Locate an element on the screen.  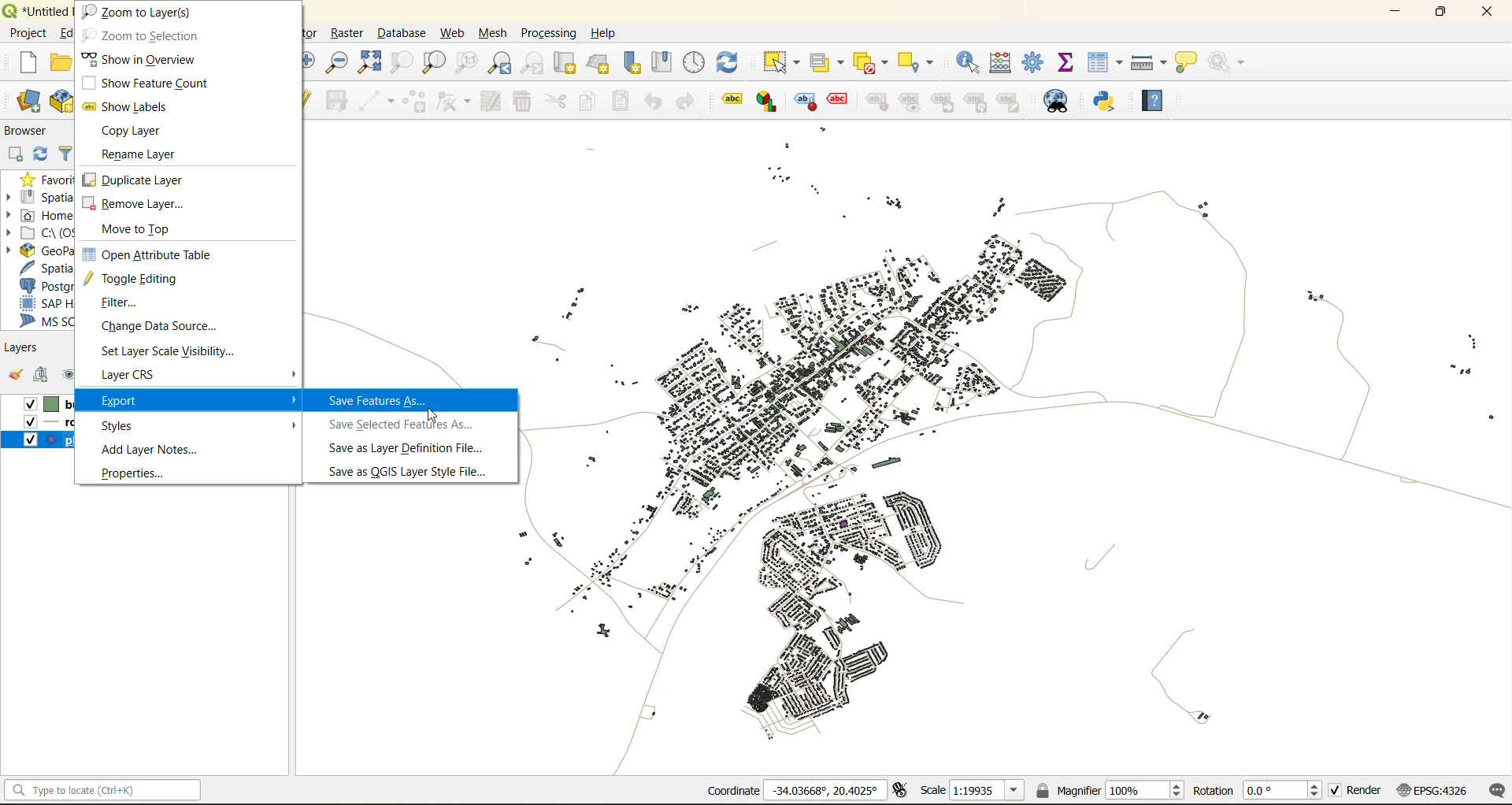
layer diagram is located at coordinates (765, 102).